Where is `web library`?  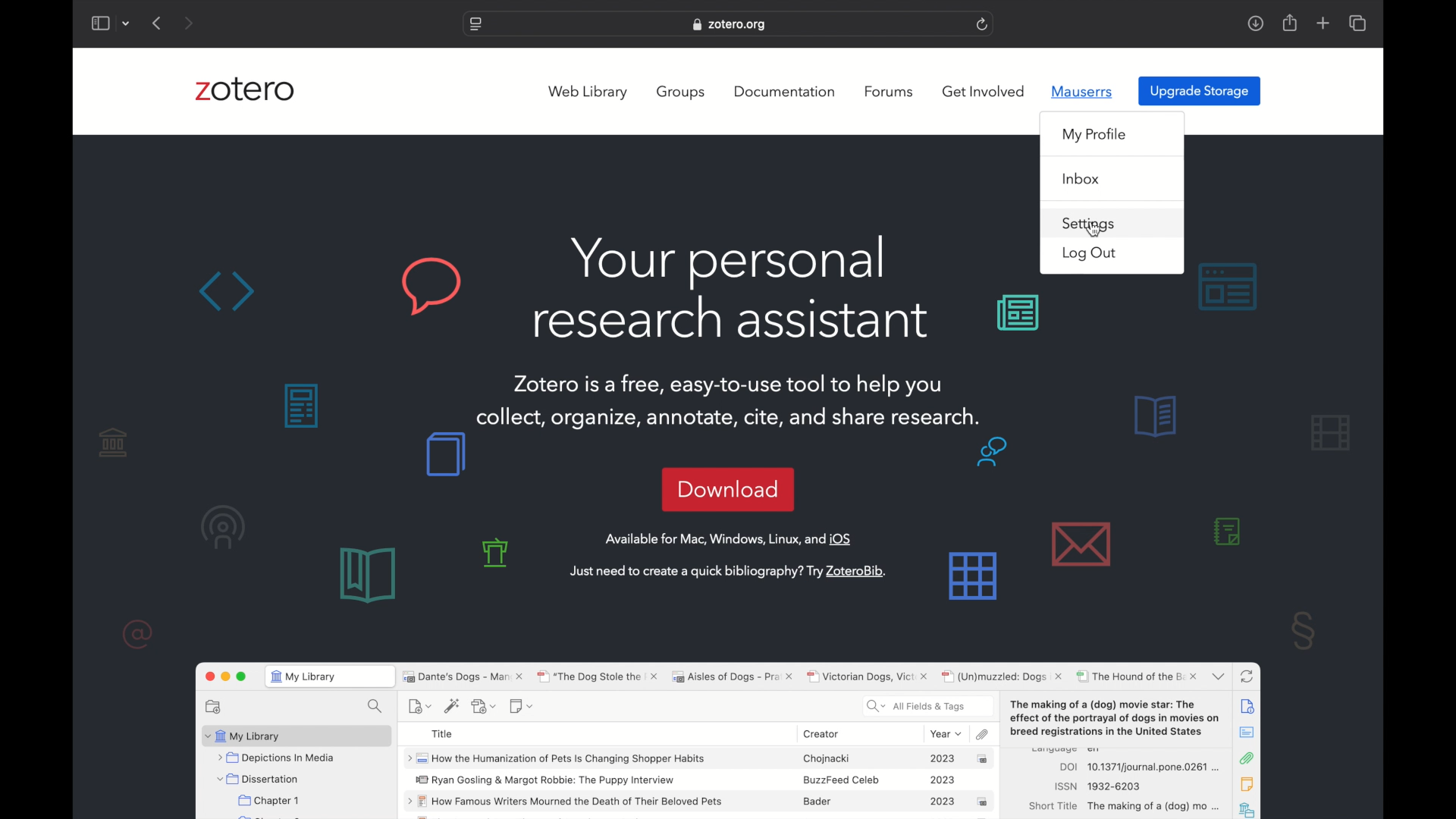
web library is located at coordinates (588, 92).